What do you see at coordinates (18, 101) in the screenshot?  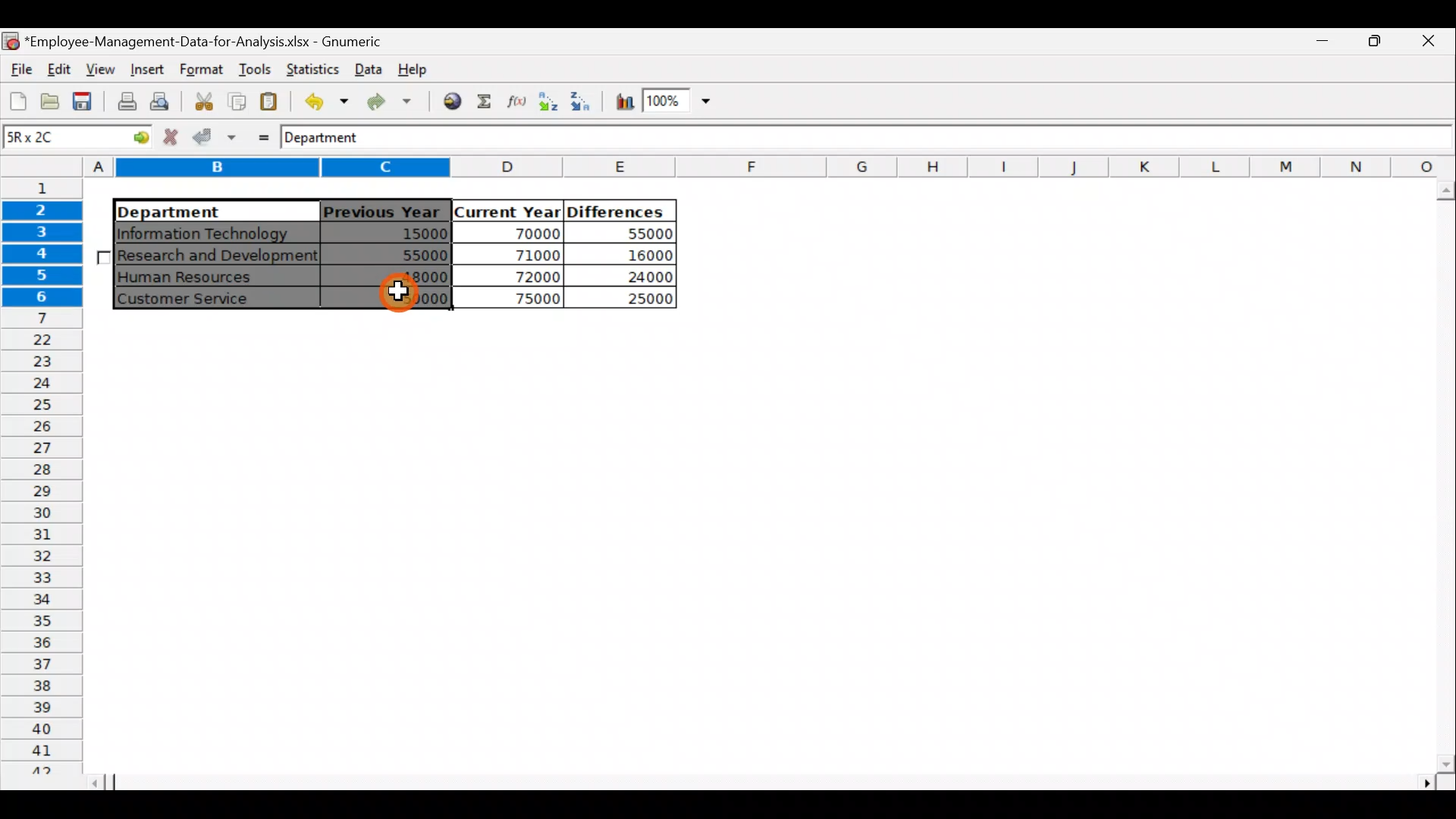 I see `Create a new workbook` at bounding box center [18, 101].